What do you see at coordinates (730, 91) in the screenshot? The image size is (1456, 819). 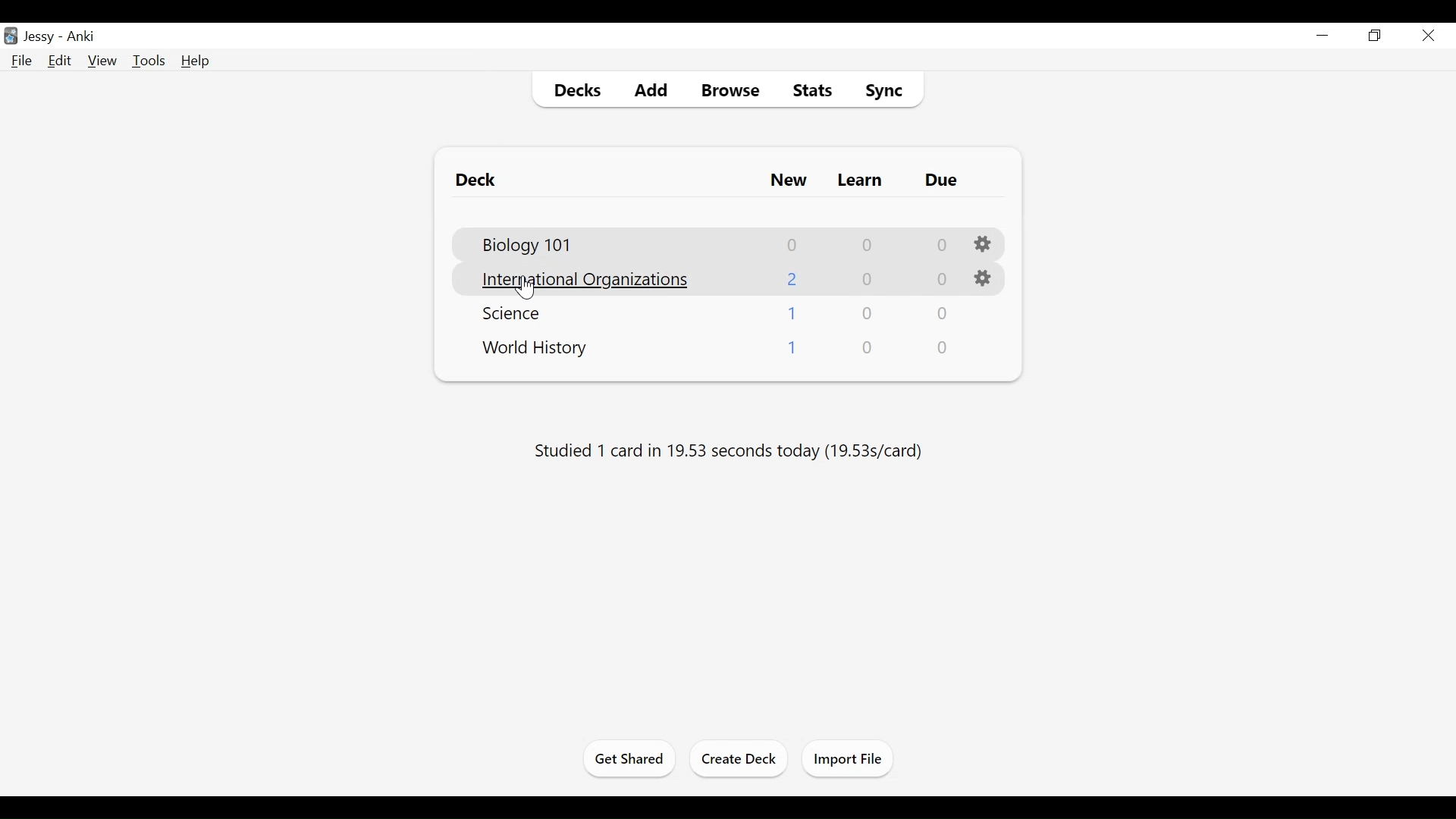 I see `Browse` at bounding box center [730, 91].